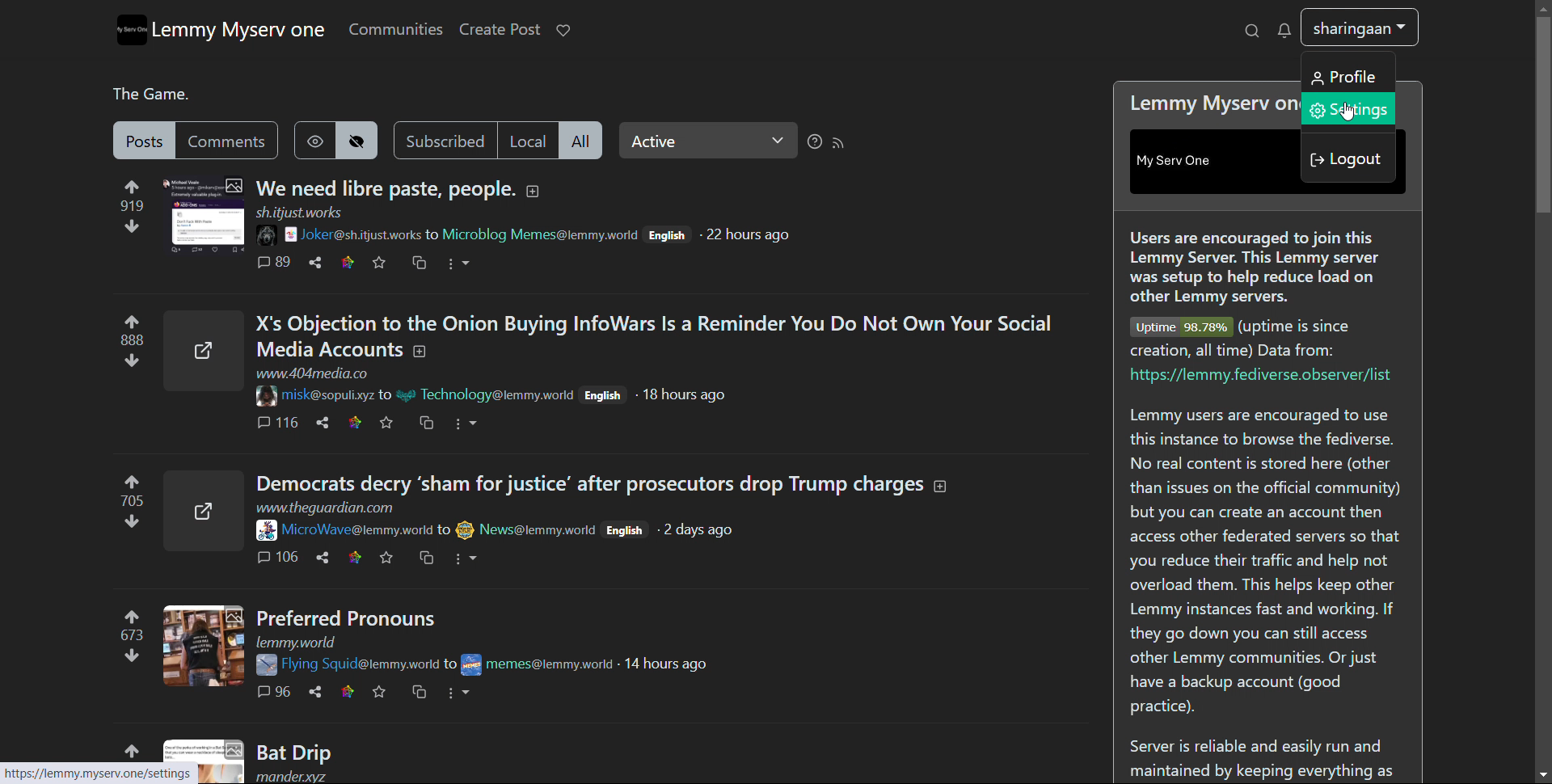  I want to click on scroll down, so click(1542, 775).